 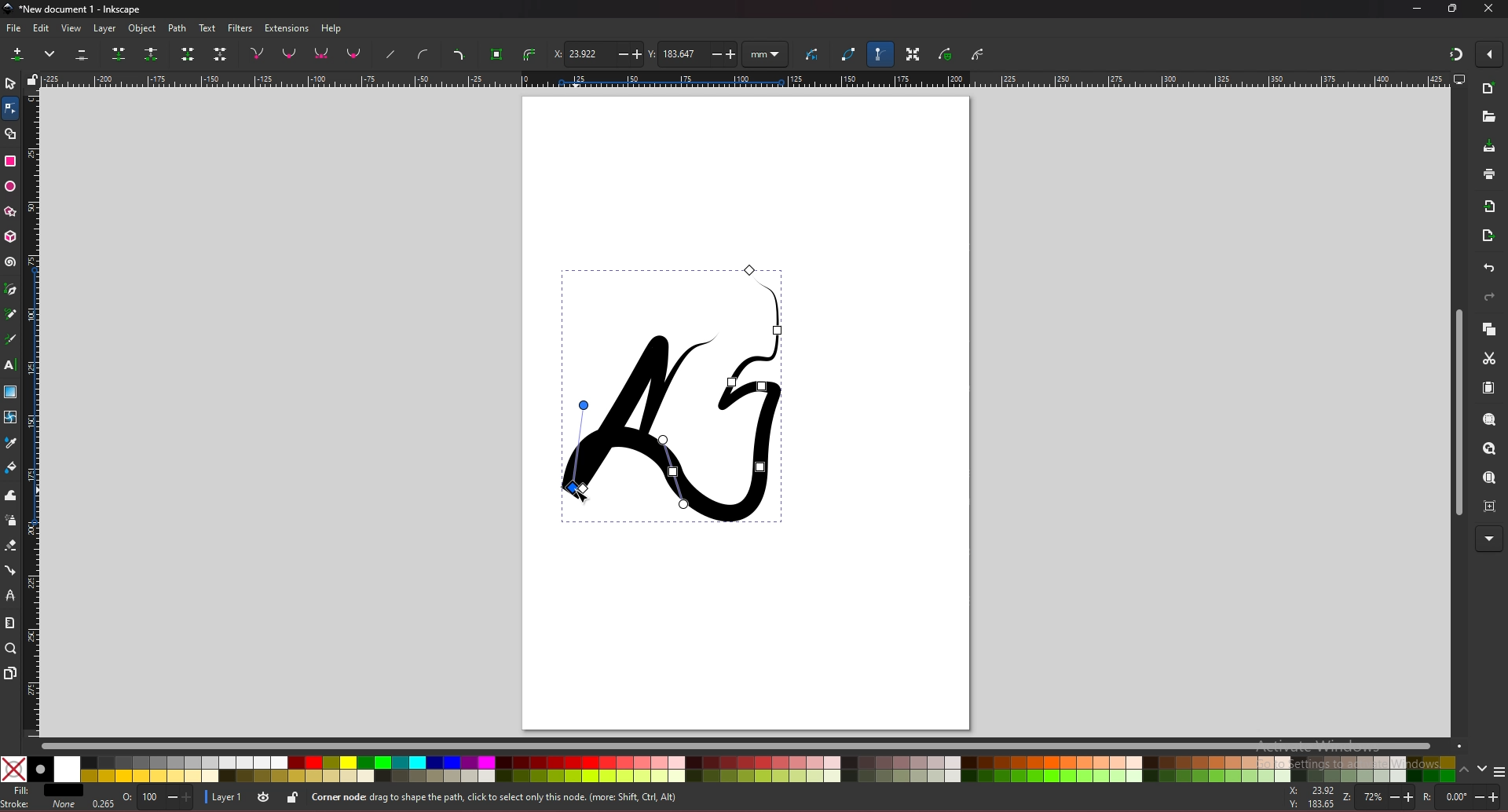 What do you see at coordinates (11, 673) in the screenshot?
I see `pages` at bounding box center [11, 673].